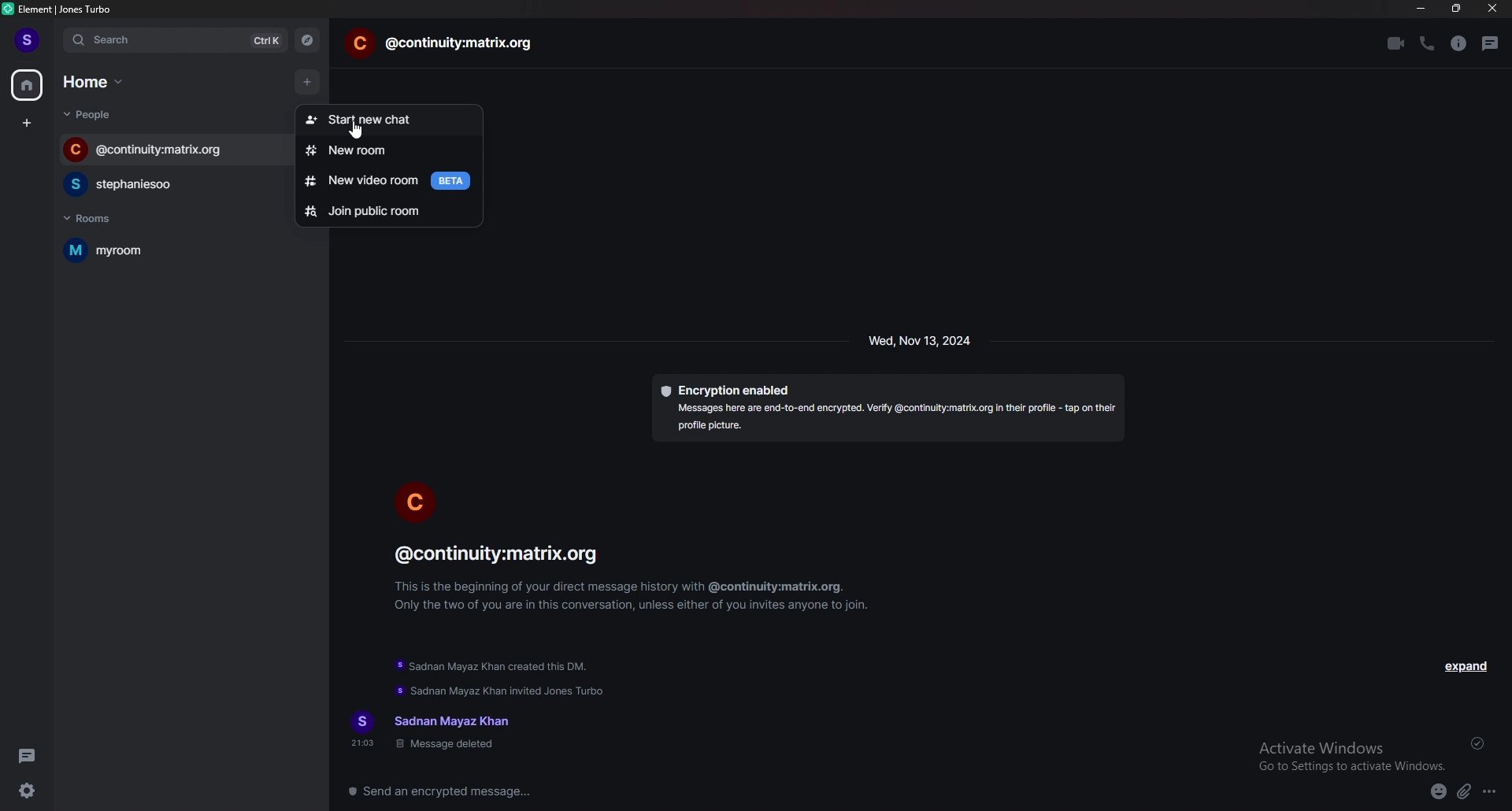 The image size is (1512, 811). What do you see at coordinates (1395, 43) in the screenshot?
I see `video call` at bounding box center [1395, 43].